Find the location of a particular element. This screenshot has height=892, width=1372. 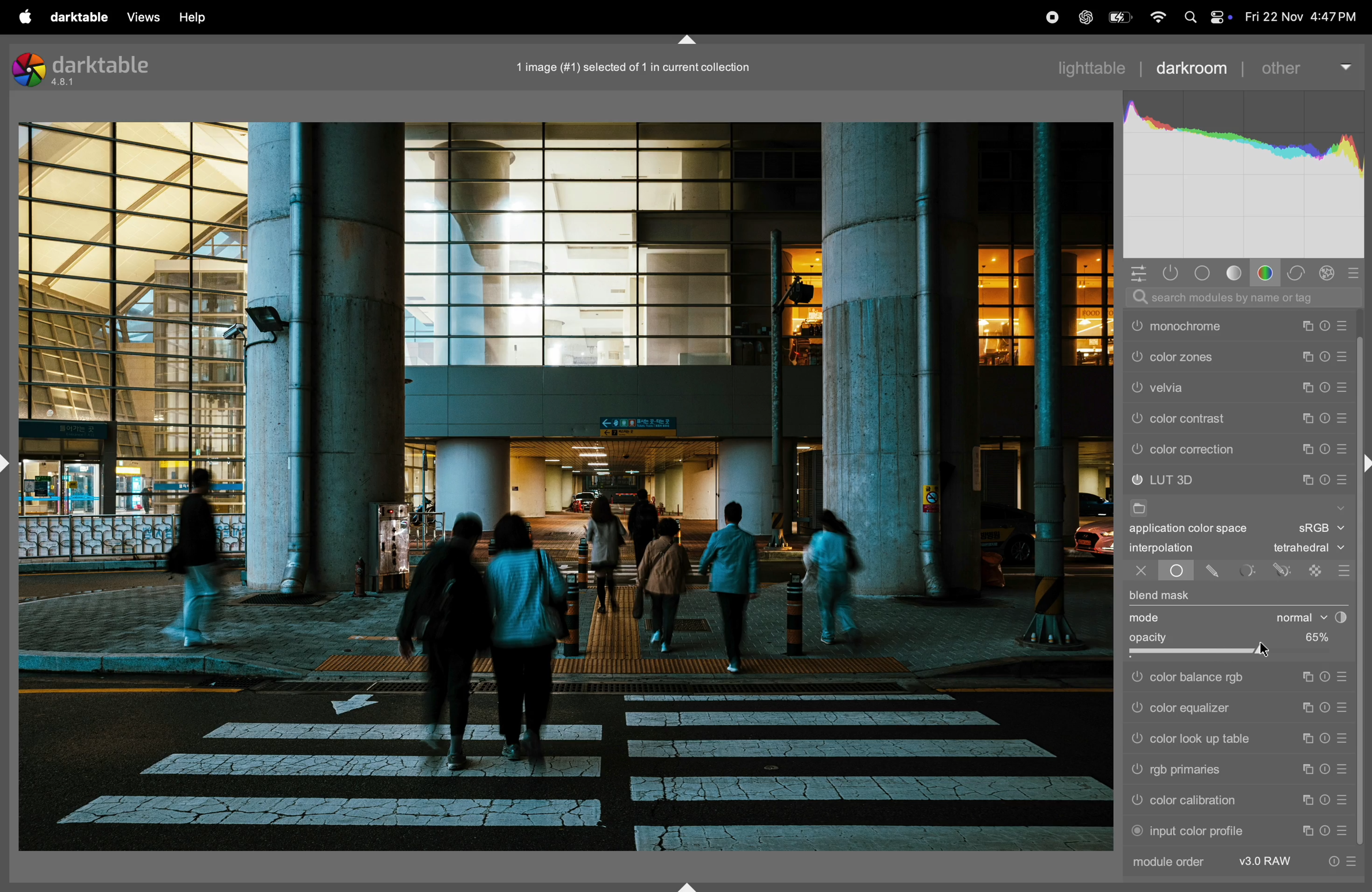

show is located at coordinates (1341, 507).